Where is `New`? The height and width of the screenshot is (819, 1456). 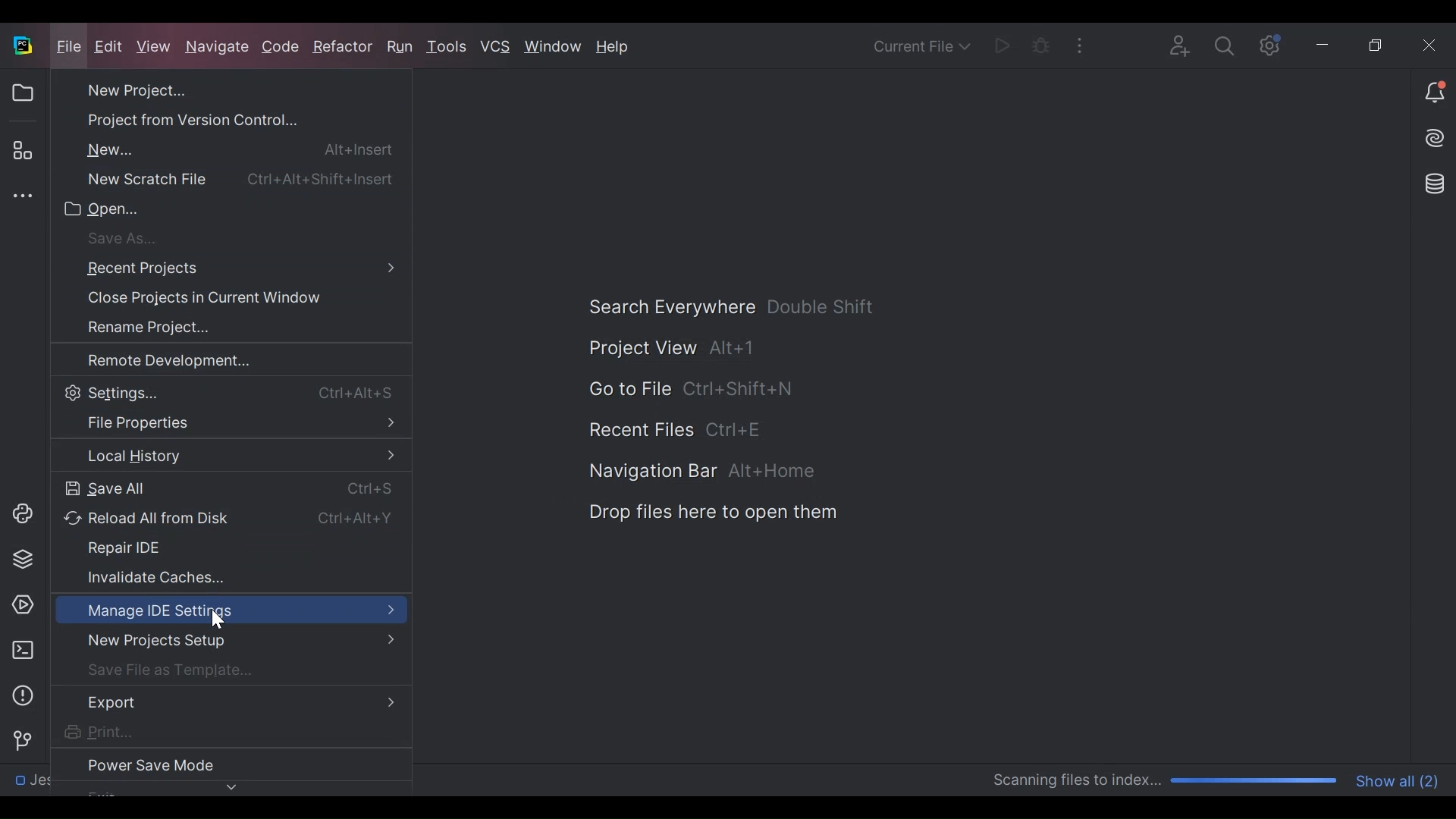
New is located at coordinates (224, 149).